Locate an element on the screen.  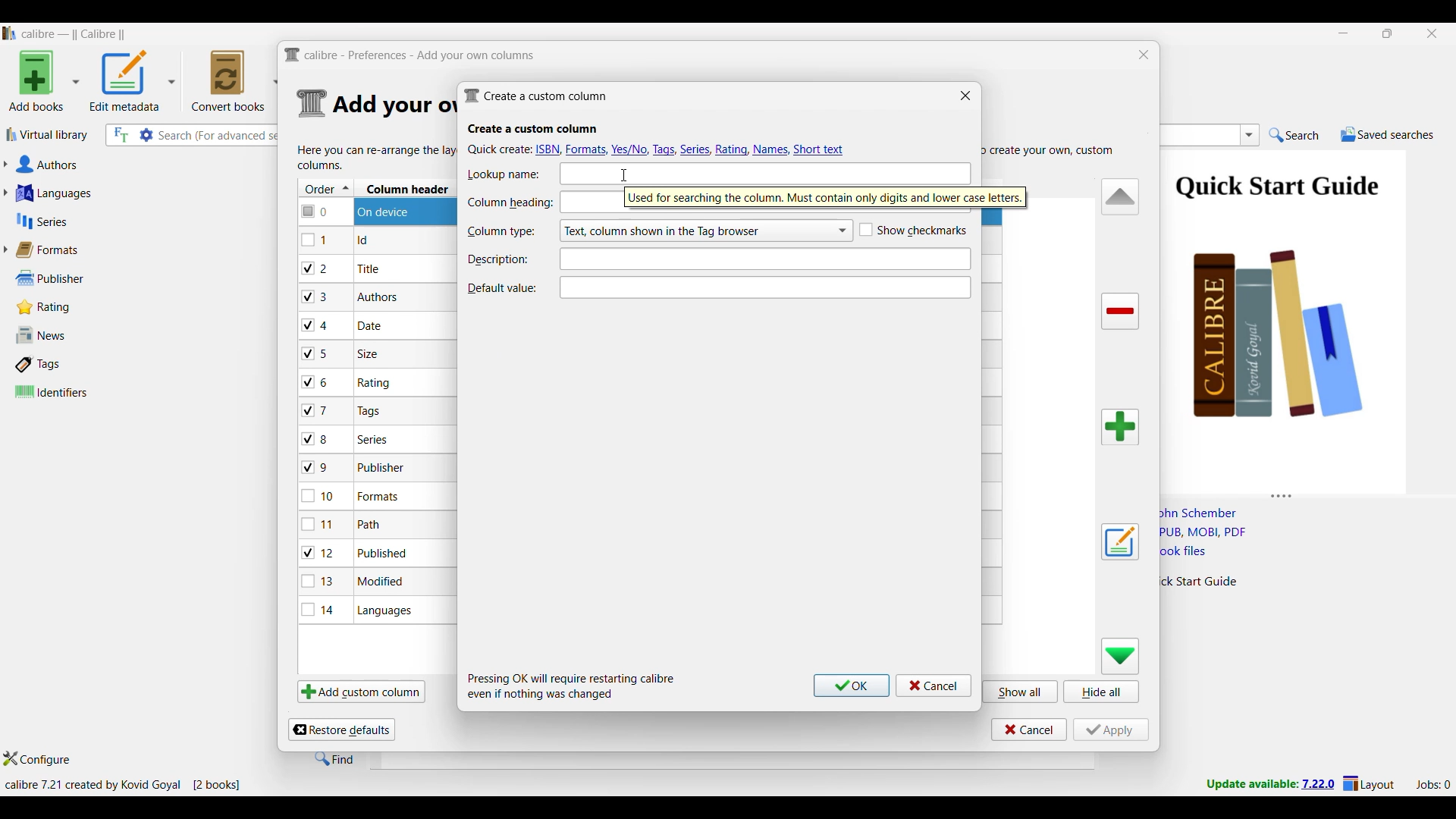
Authors is located at coordinates (120, 165).